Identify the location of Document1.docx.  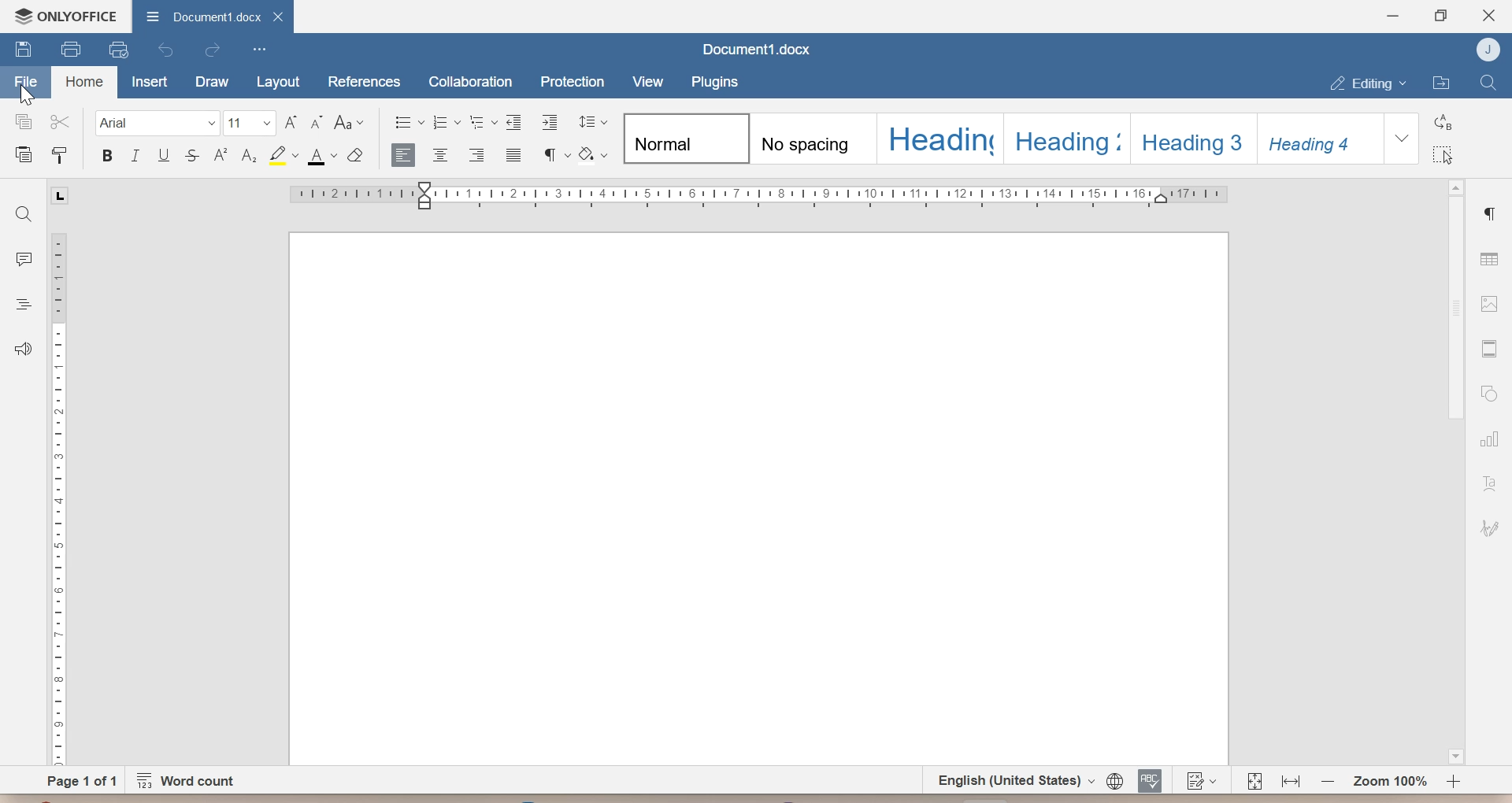
(752, 50).